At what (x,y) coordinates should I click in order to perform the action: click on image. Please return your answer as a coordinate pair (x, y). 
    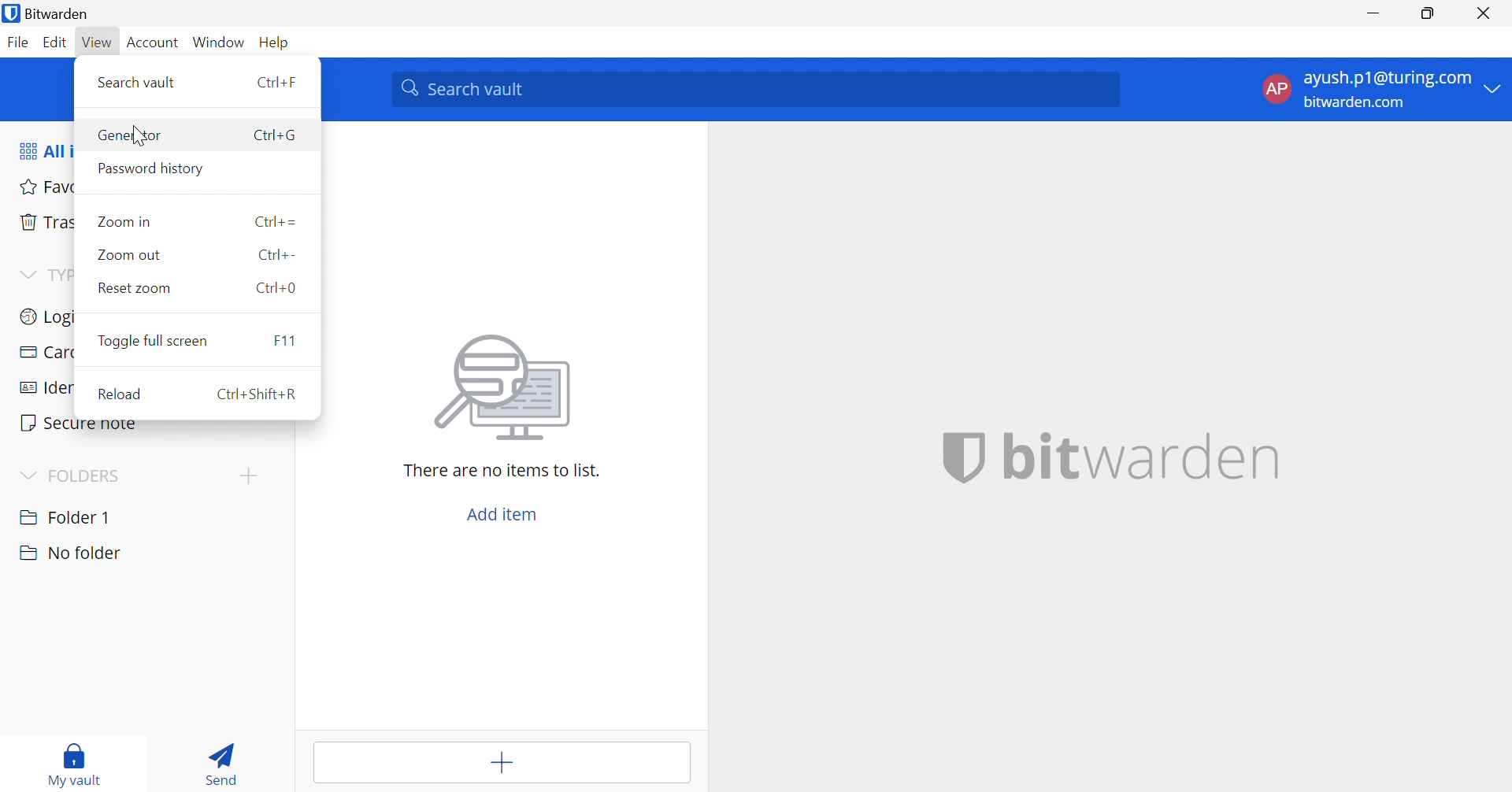
    Looking at the image, I should click on (505, 389).